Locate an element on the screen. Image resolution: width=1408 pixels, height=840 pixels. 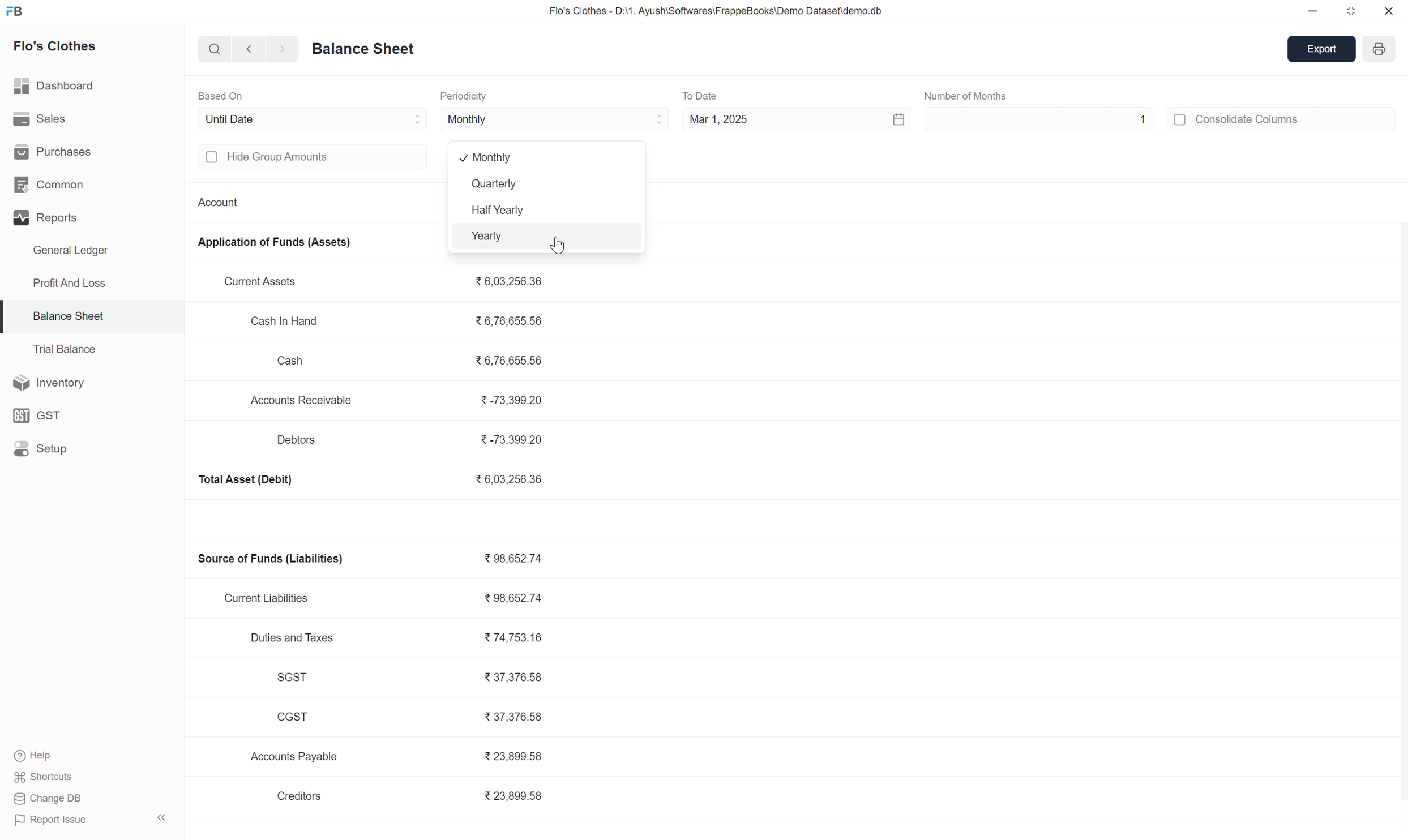
 Dashboard is located at coordinates (62, 87).